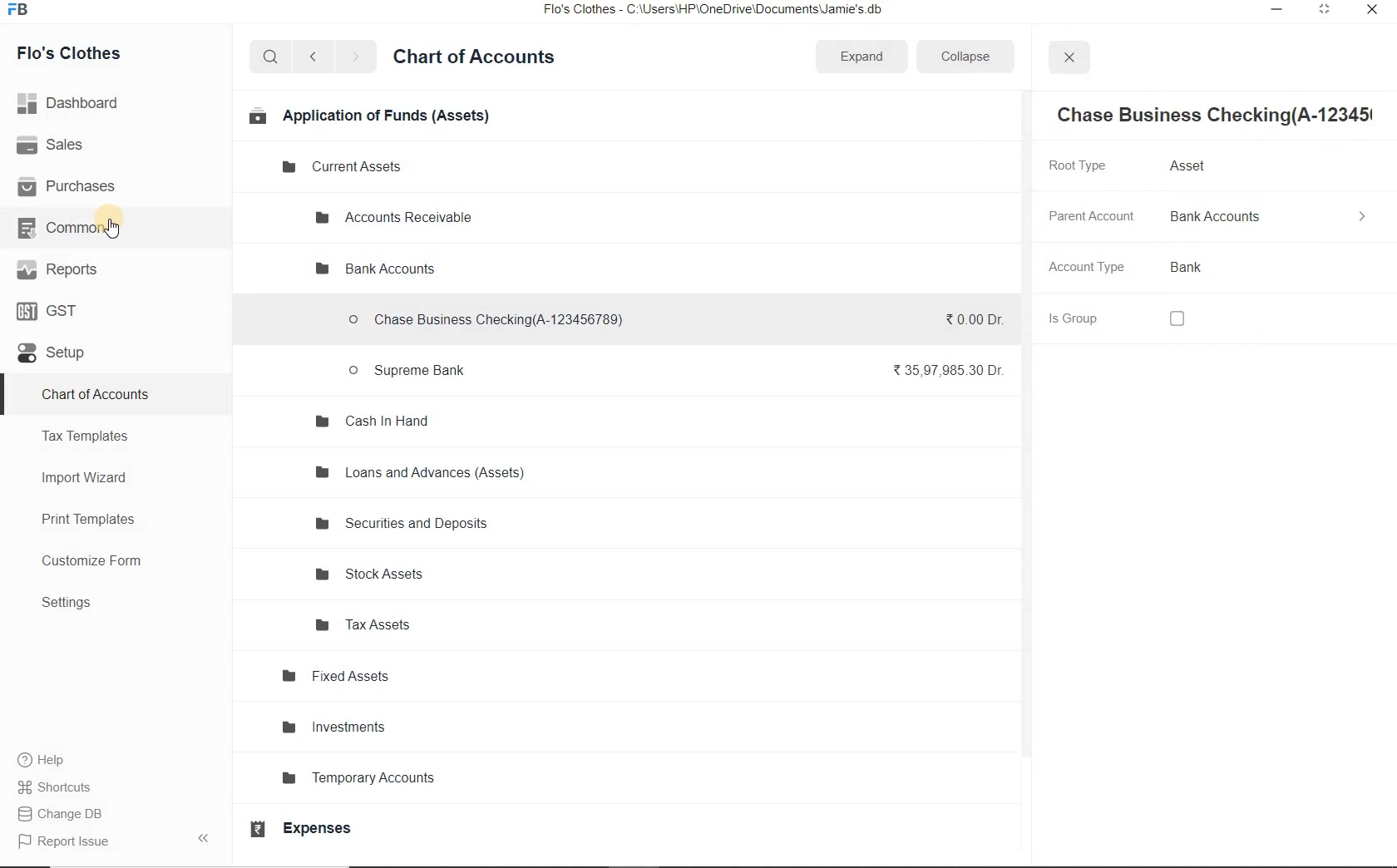 The image size is (1397, 868). Describe the element at coordinates (377, 421) in the screenshot. I see `Cash In Hand` at that location.